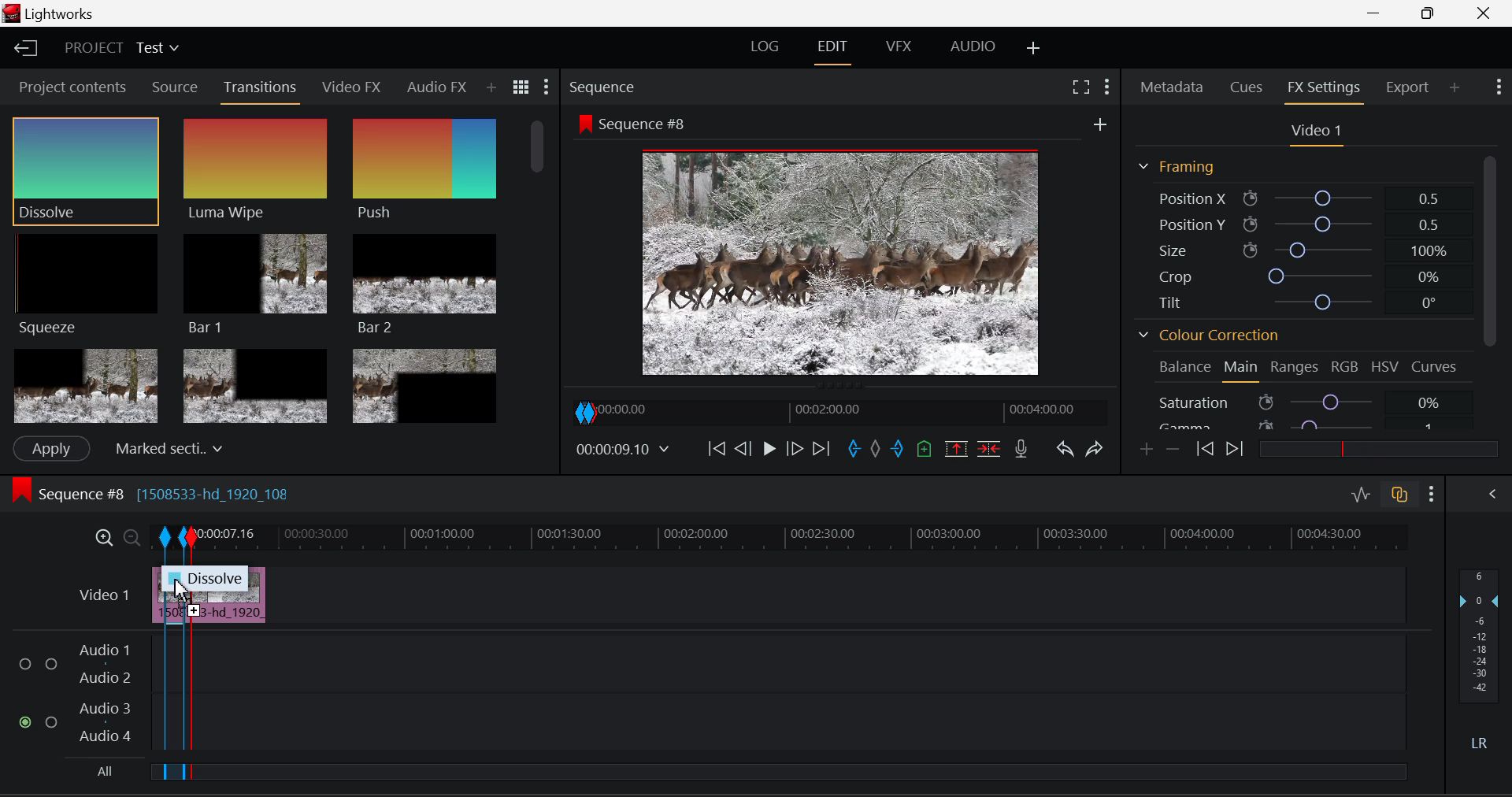 The width and height of the screenshot is (1512, 797). Describe the element at coordinates (165, 447) in the screenshot. I see `Centered here` at that location.